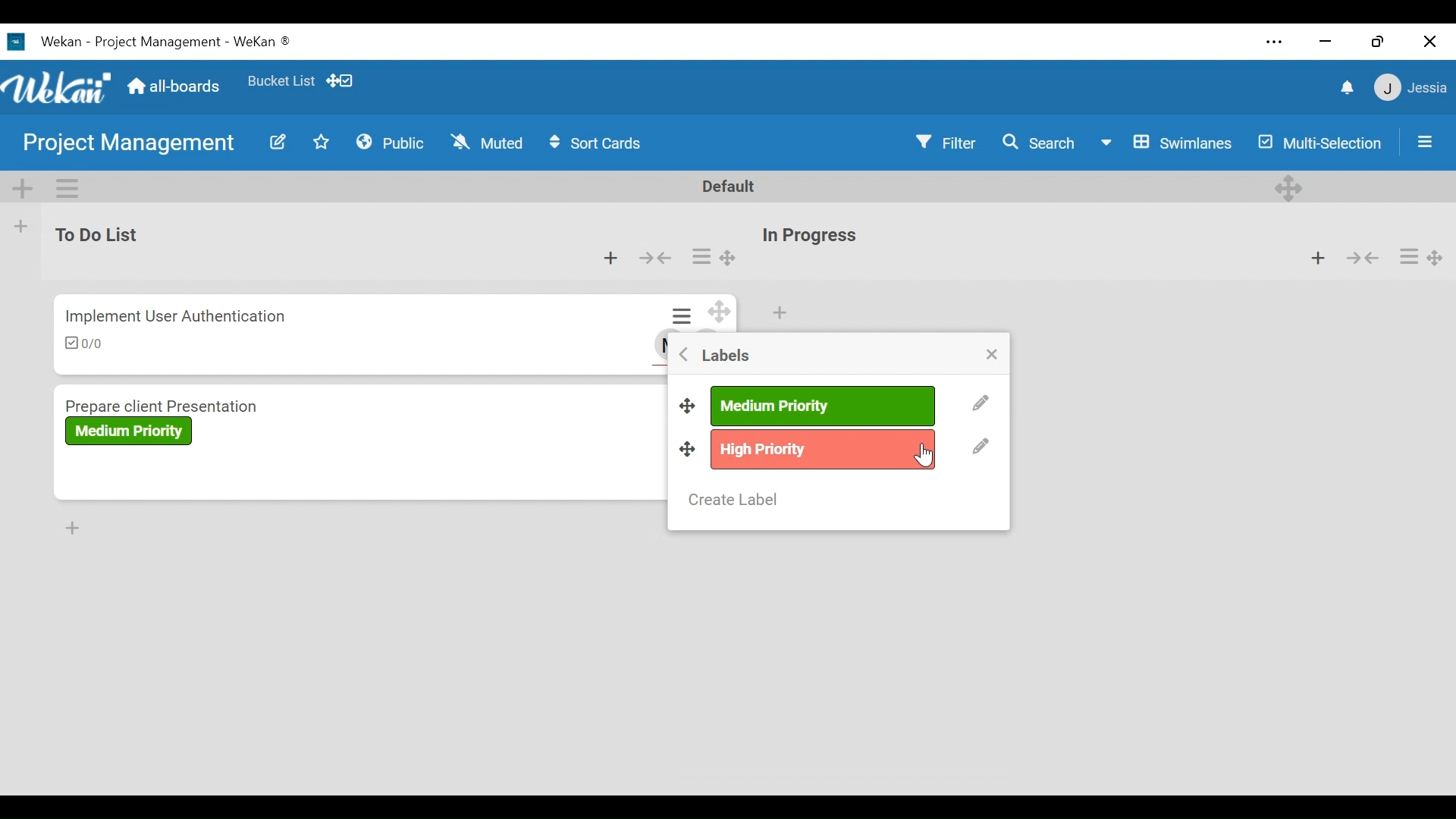 Image resolution: width=1456 pixels, height=819 pixels. What do you see at coordinates (736, 499) in the screenshot?
I see `Create label` at bounding box center [736, 499].